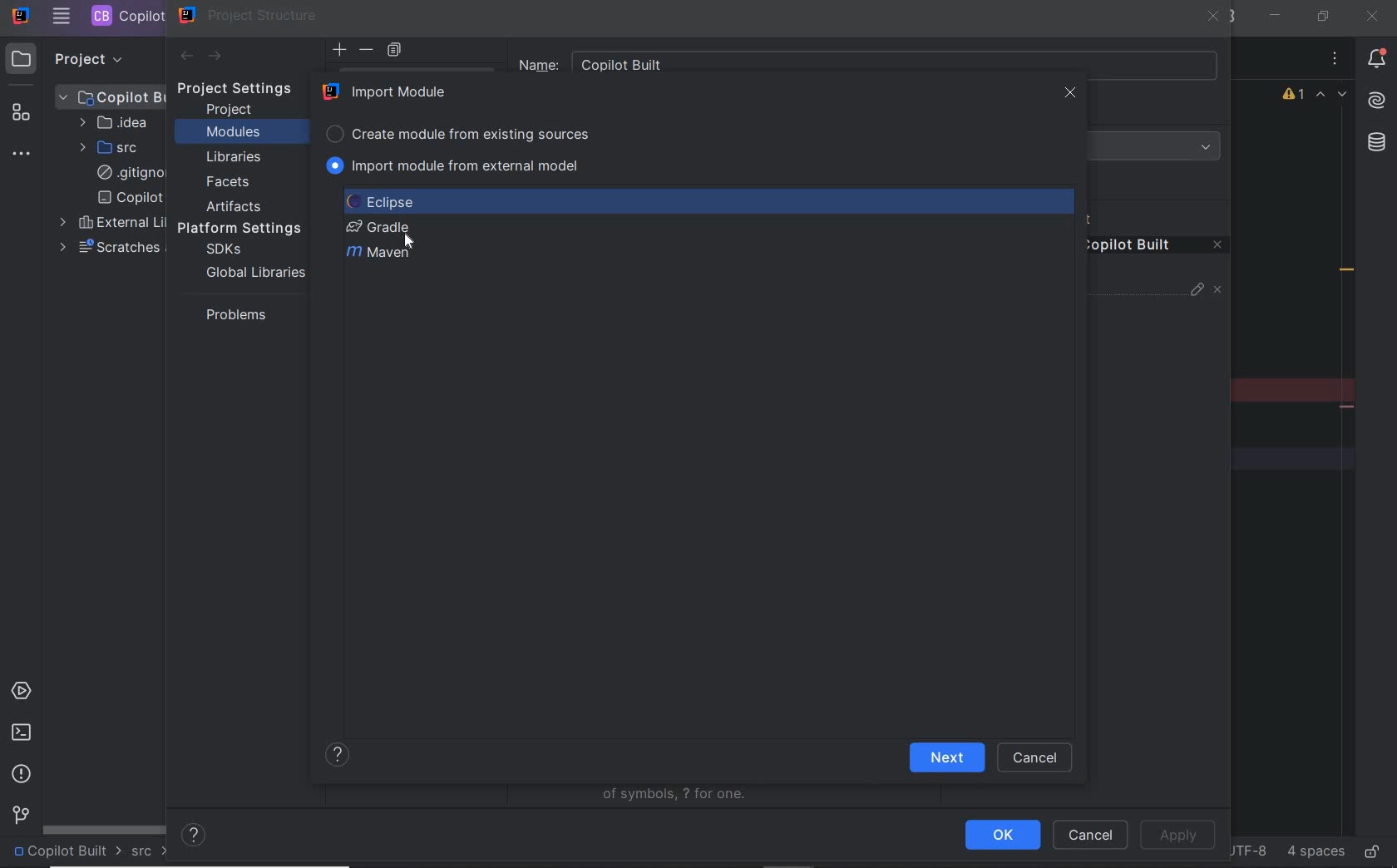 This screenshot has width=1397, height=868. Describe the element at coordinates (1371, 16) in the screenshot. I see `close` at that location.